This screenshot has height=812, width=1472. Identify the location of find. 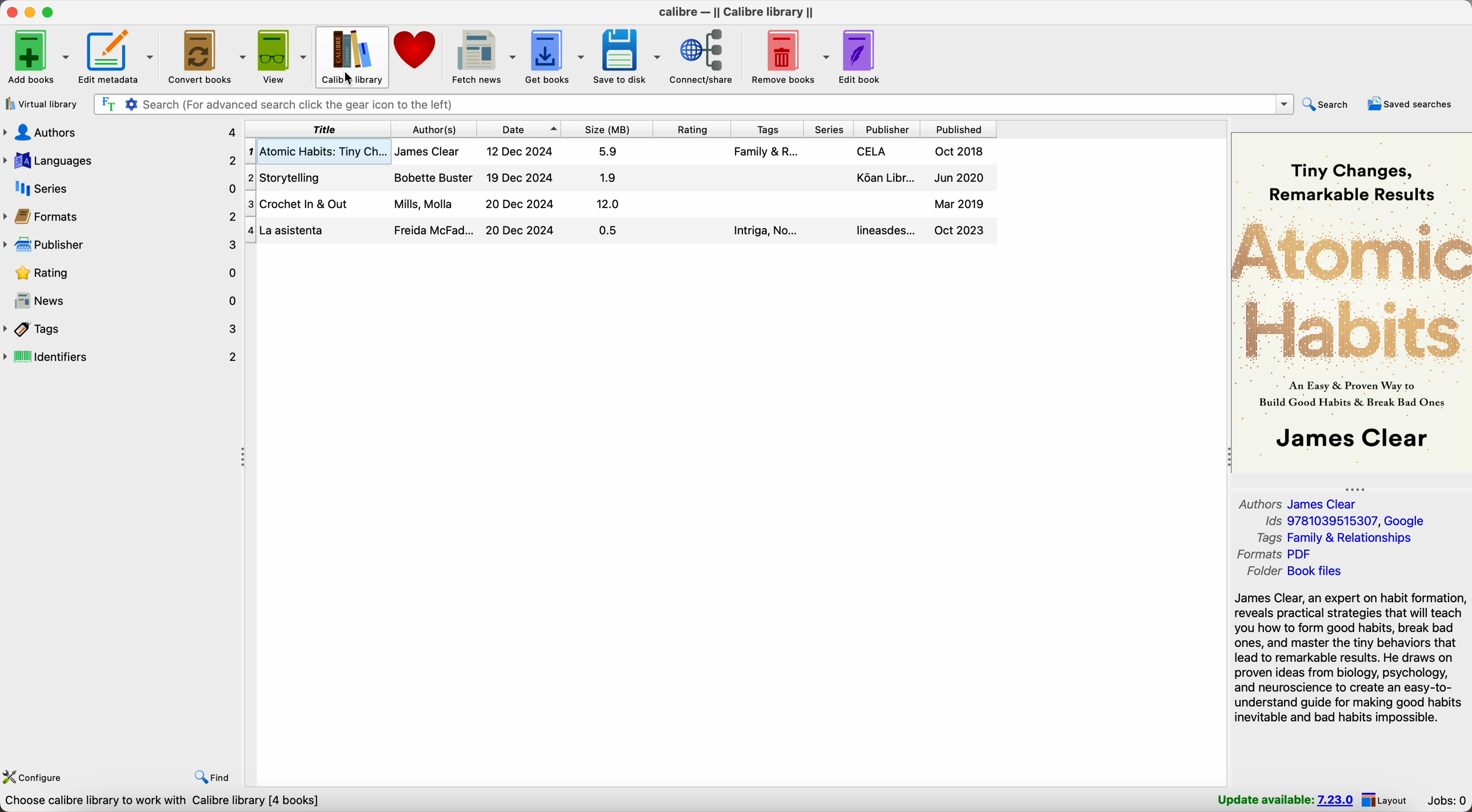
(211, 777).